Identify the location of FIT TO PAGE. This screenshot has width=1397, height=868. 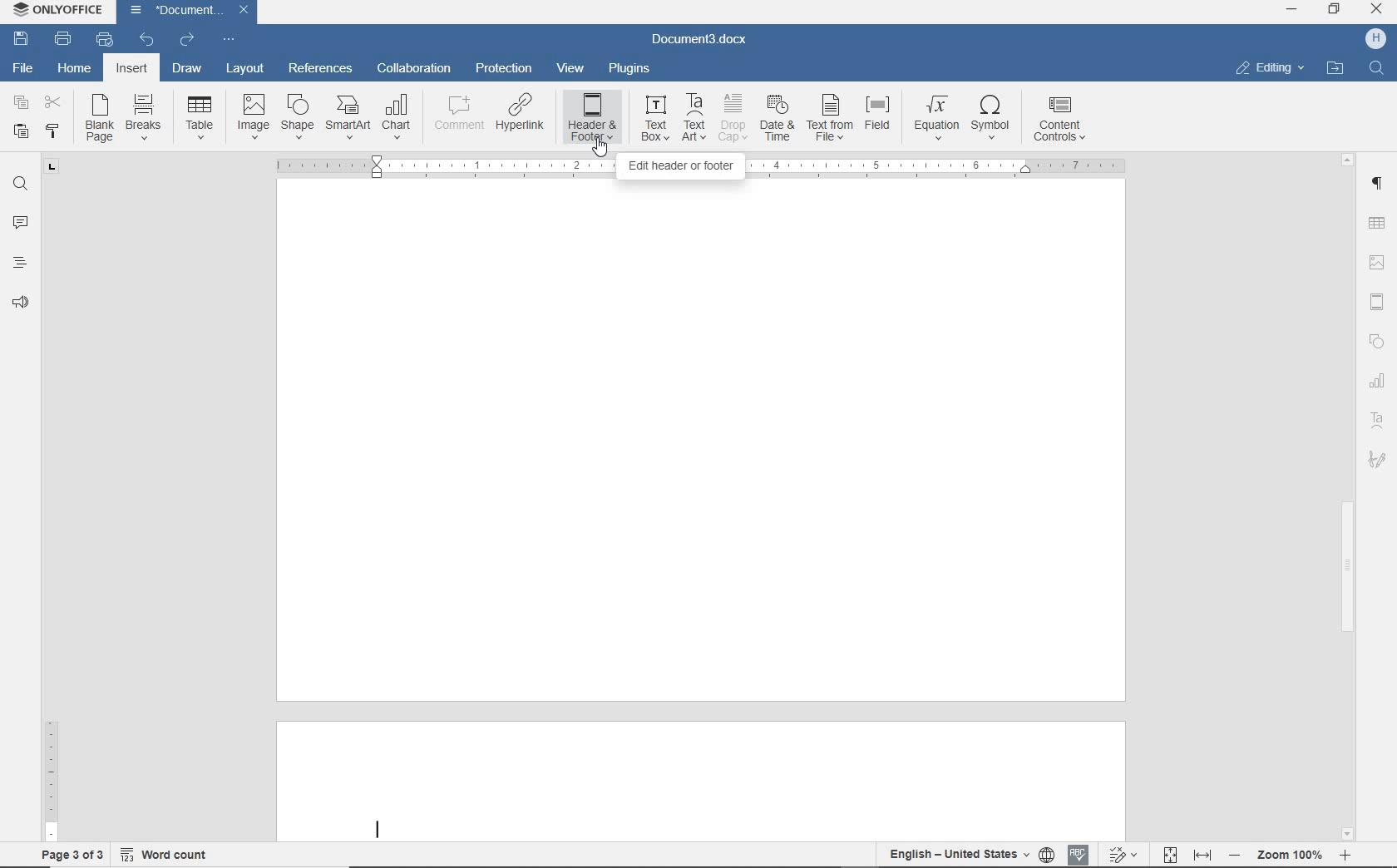
(1169, 854).